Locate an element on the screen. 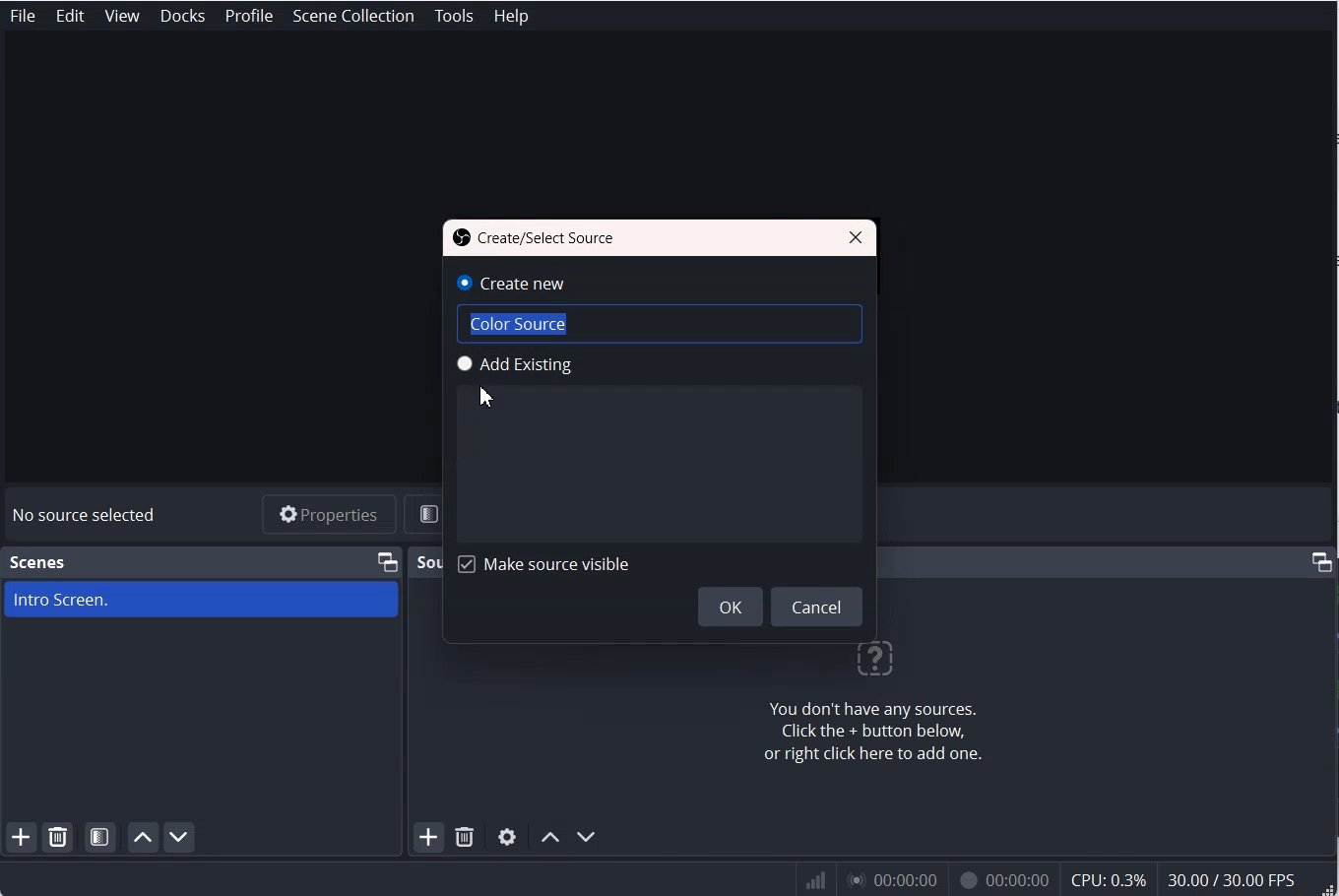 Image resolution: width=1339 pixels, height=896 pixels. No source selected is located at coordinates (85, 514).